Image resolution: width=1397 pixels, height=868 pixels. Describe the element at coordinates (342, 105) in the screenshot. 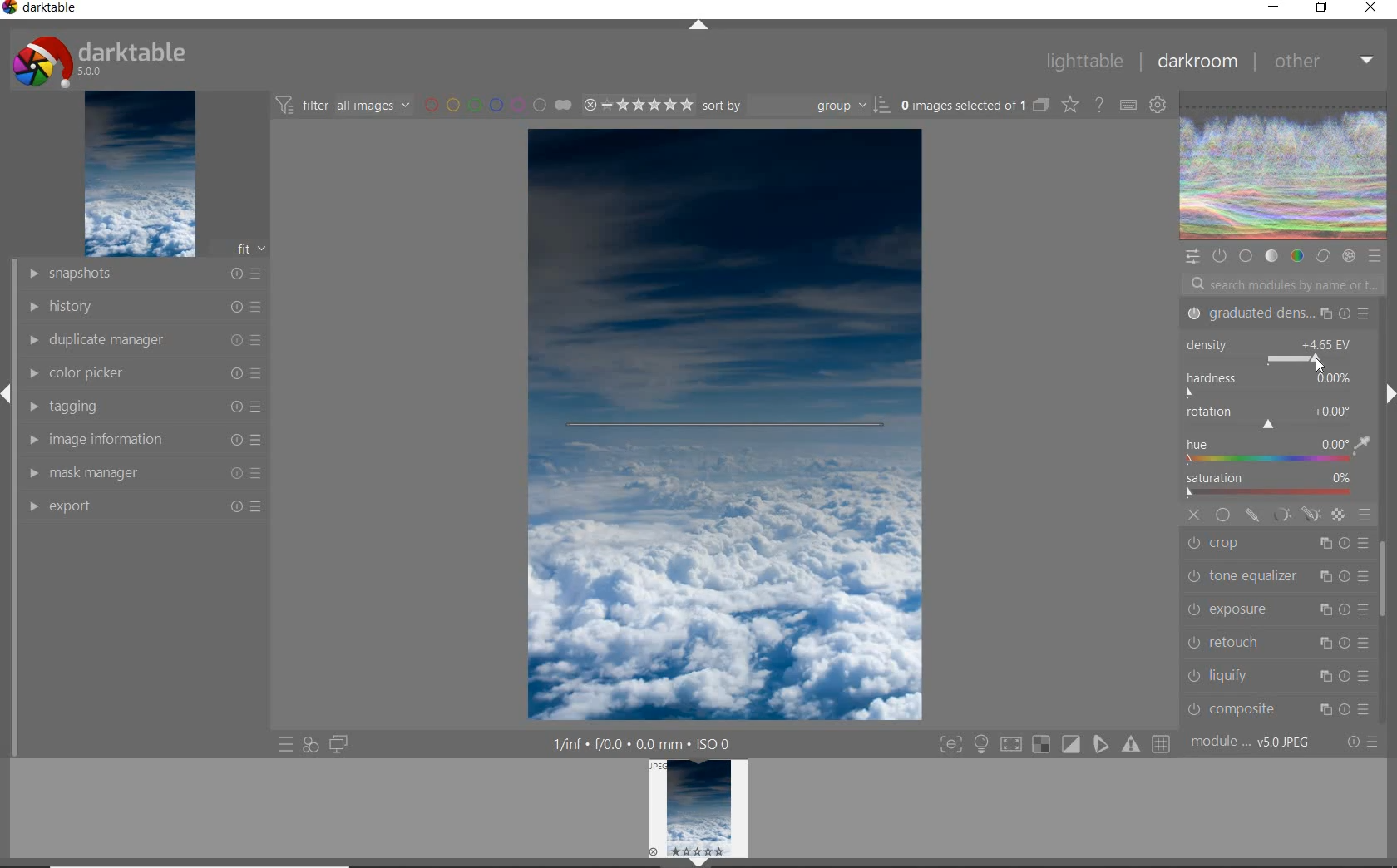

I see `FILTER ALL IMAGES` at that location.